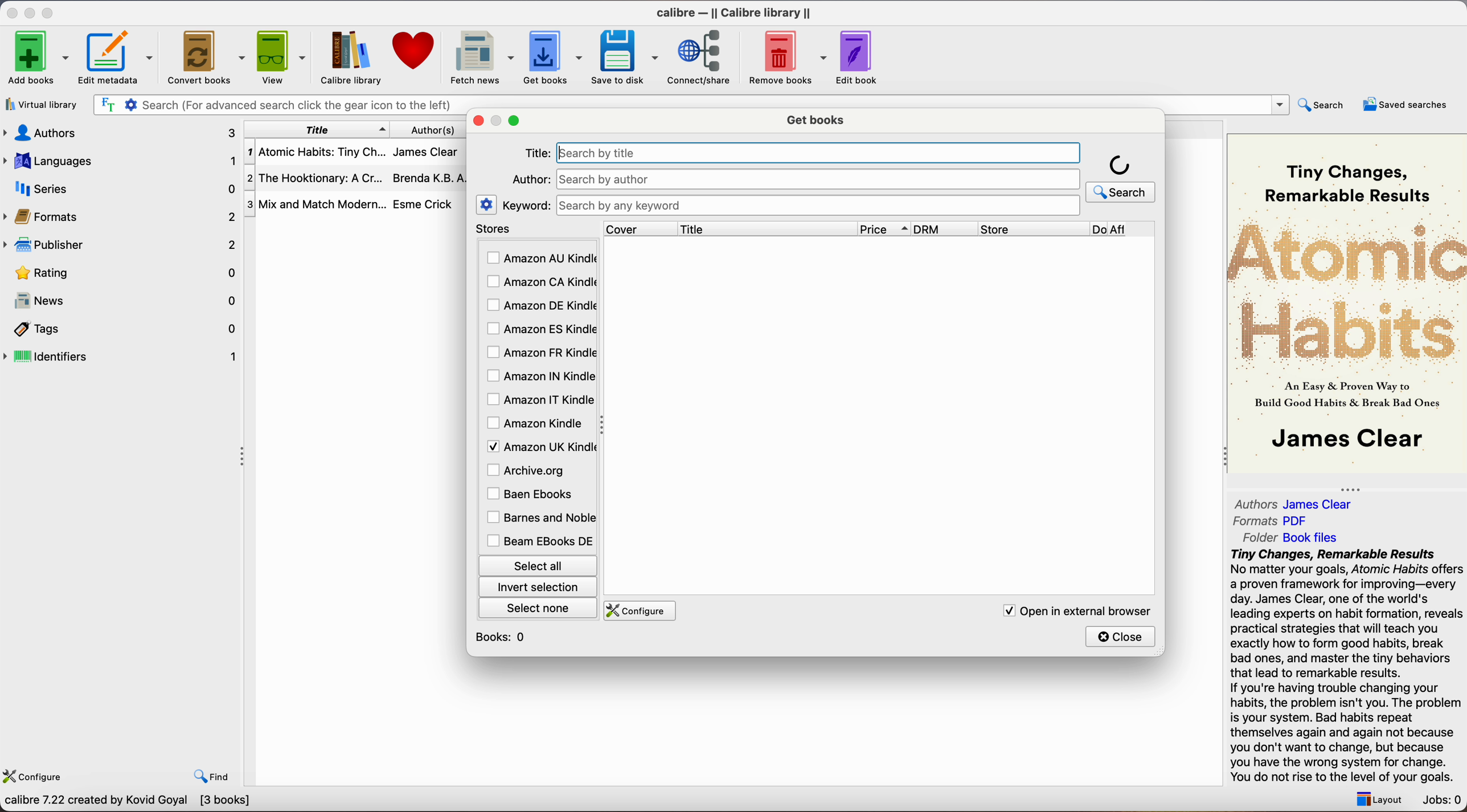  What do you see at coordinates (123, 330) in the screenshot?
I see `tags` at bounding box center [123, 330].